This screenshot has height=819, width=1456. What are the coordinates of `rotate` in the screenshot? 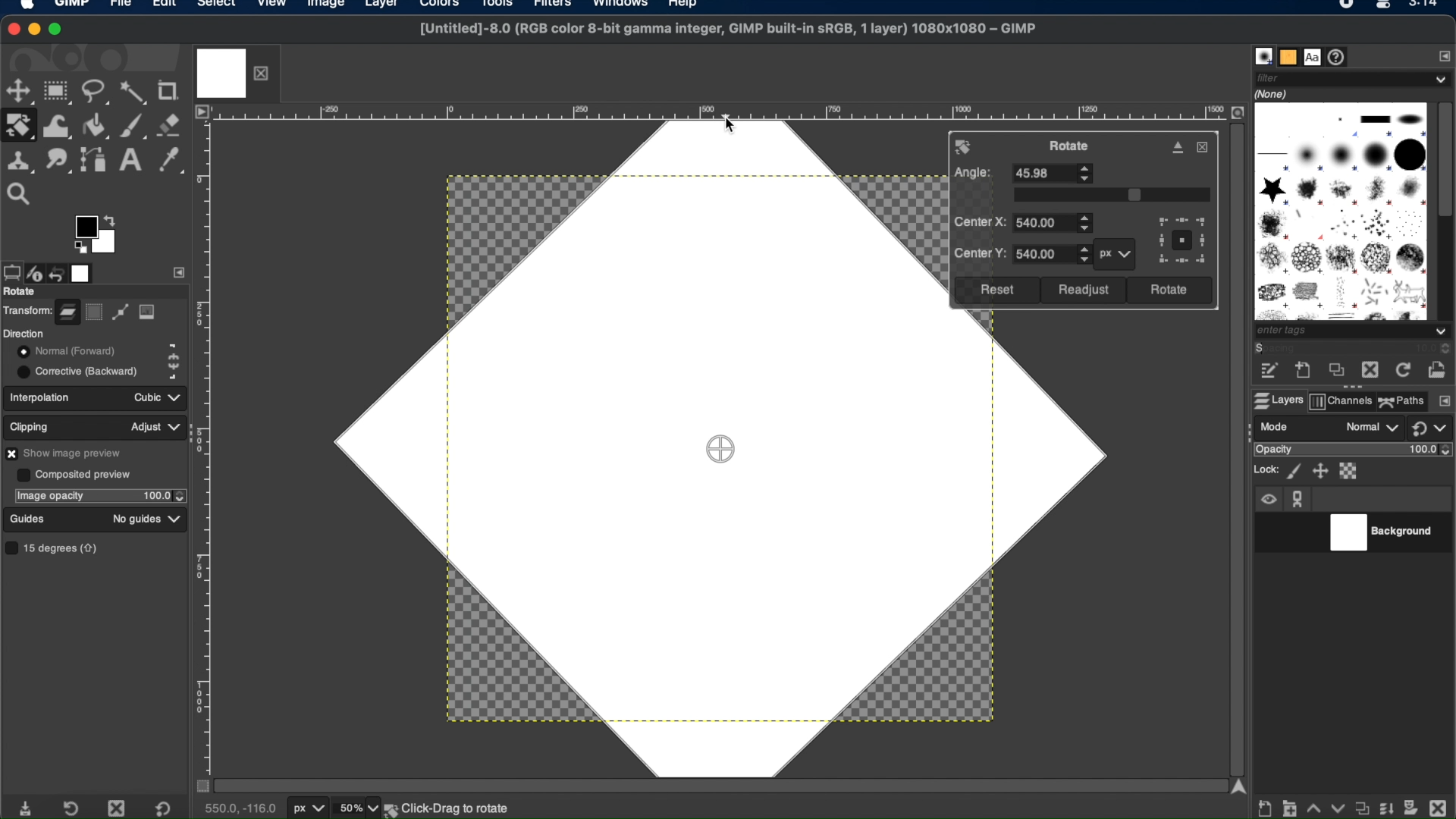 It's located at (965, 147).